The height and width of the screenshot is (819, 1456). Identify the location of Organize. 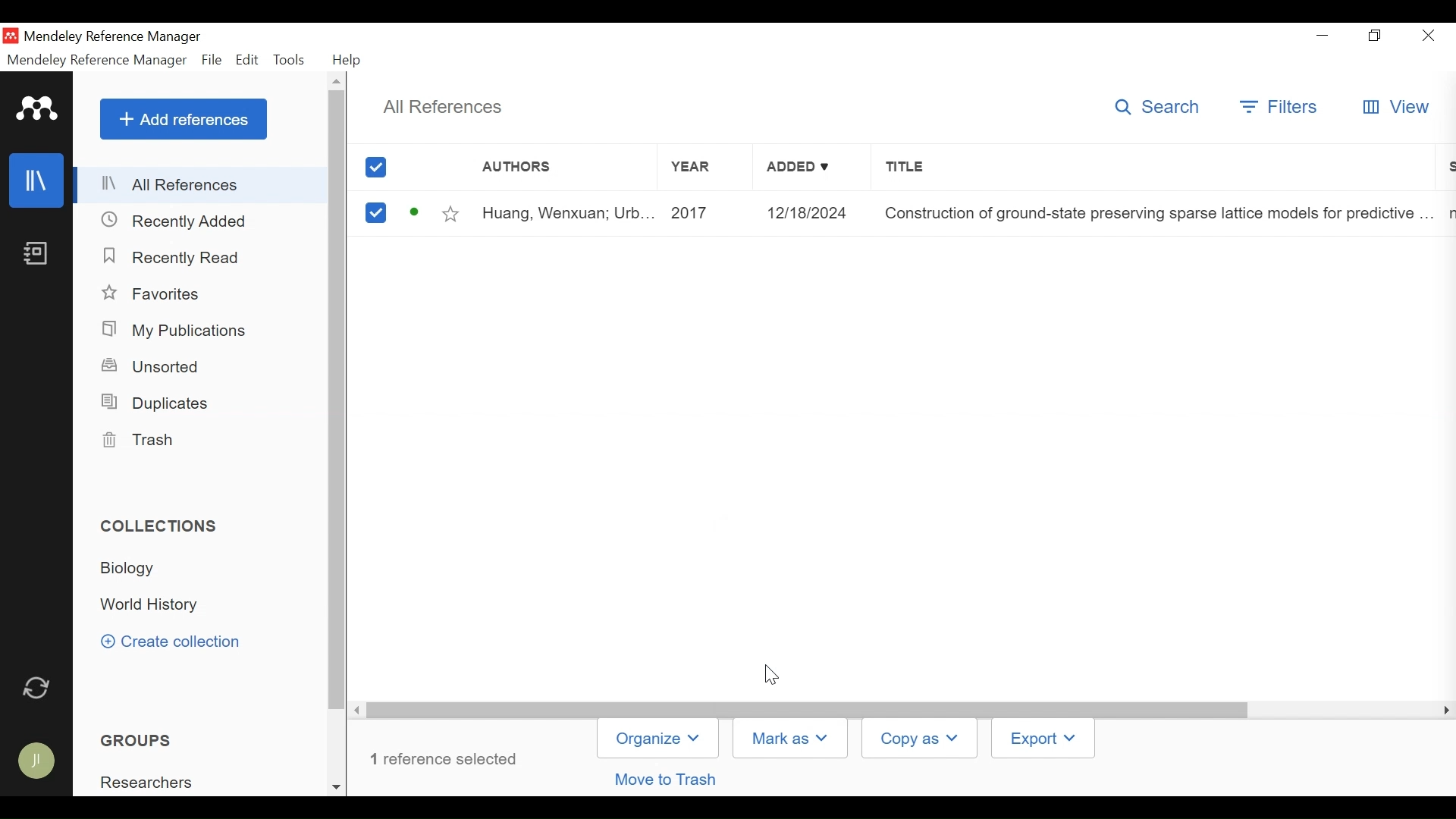
(658, 737).